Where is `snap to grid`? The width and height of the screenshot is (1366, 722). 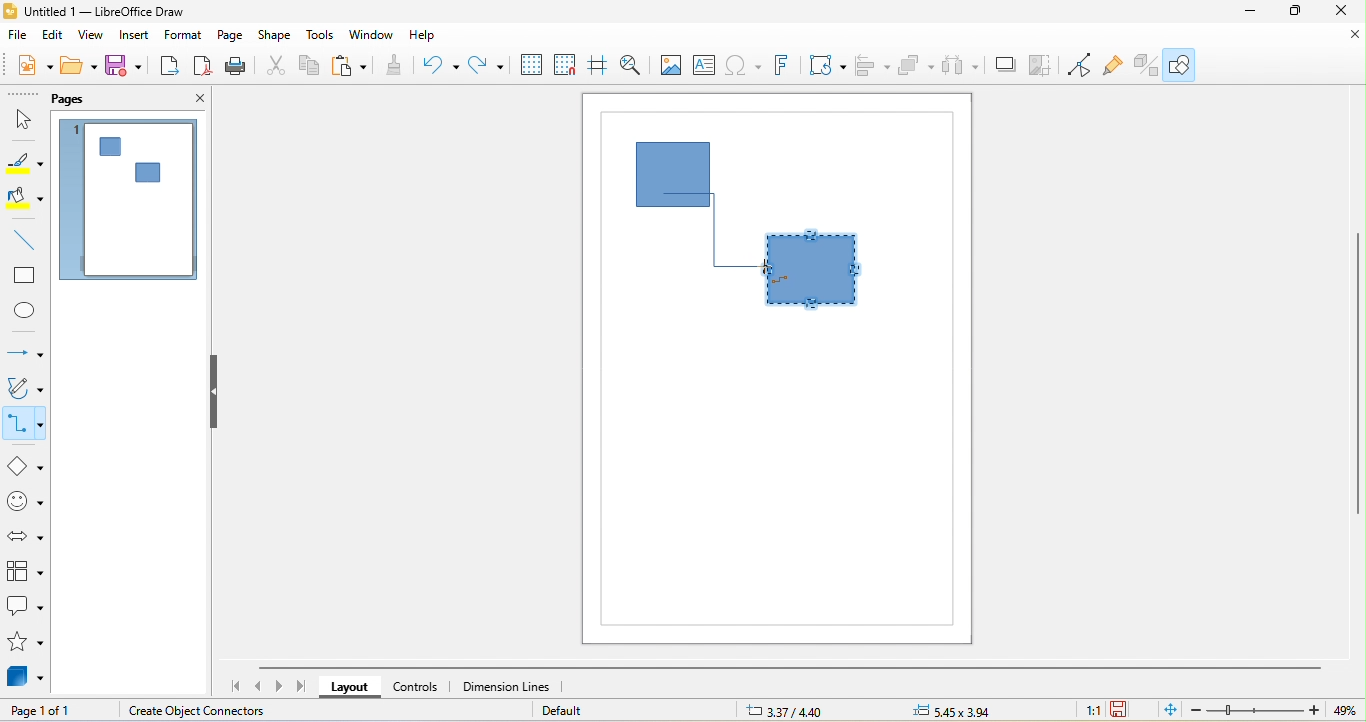 snap to grid is located at coordinates (570, 65).